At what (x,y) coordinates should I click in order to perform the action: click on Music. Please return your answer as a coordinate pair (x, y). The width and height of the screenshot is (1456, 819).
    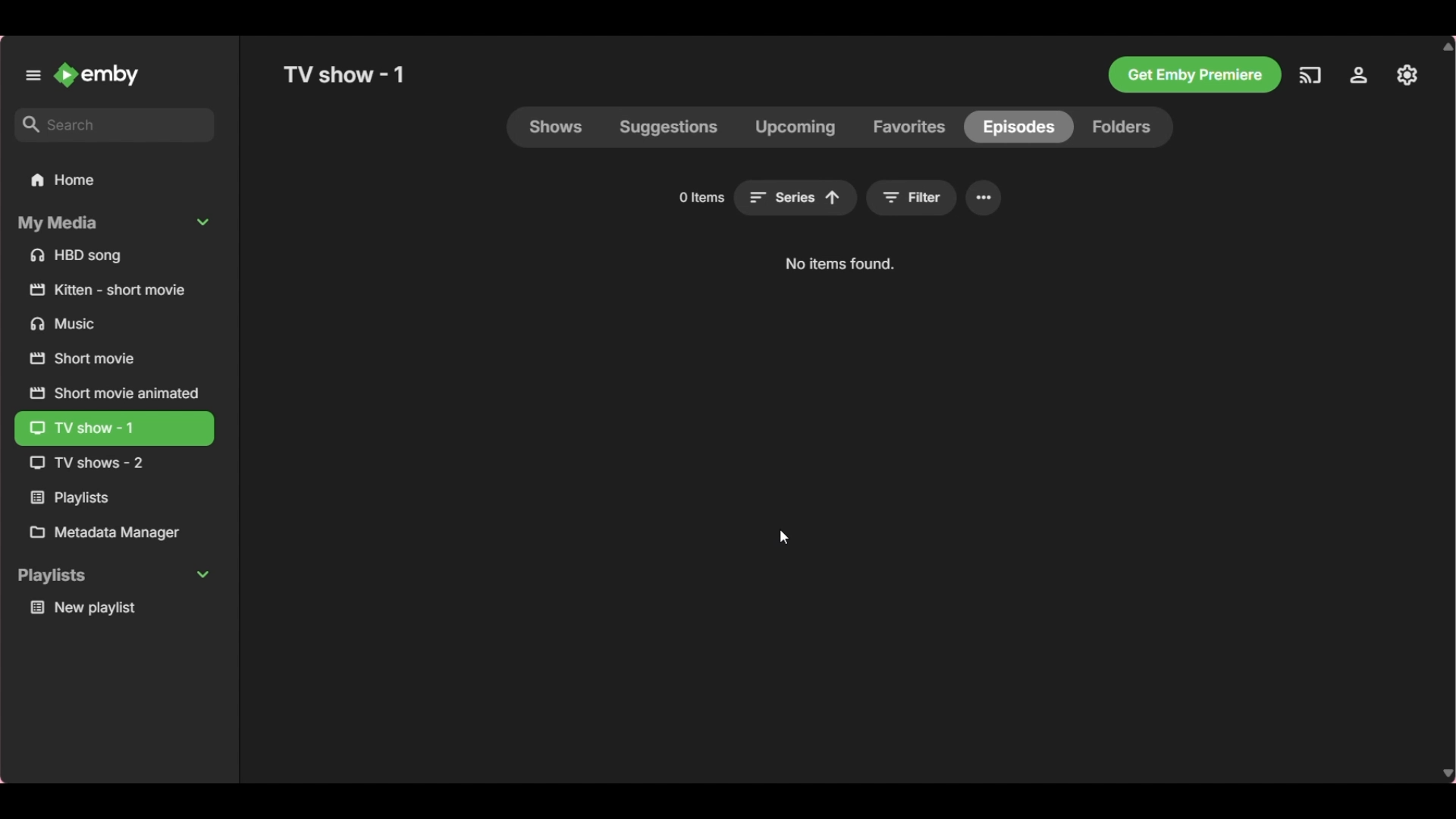
    Looking at the image, I should click on (115, 323).